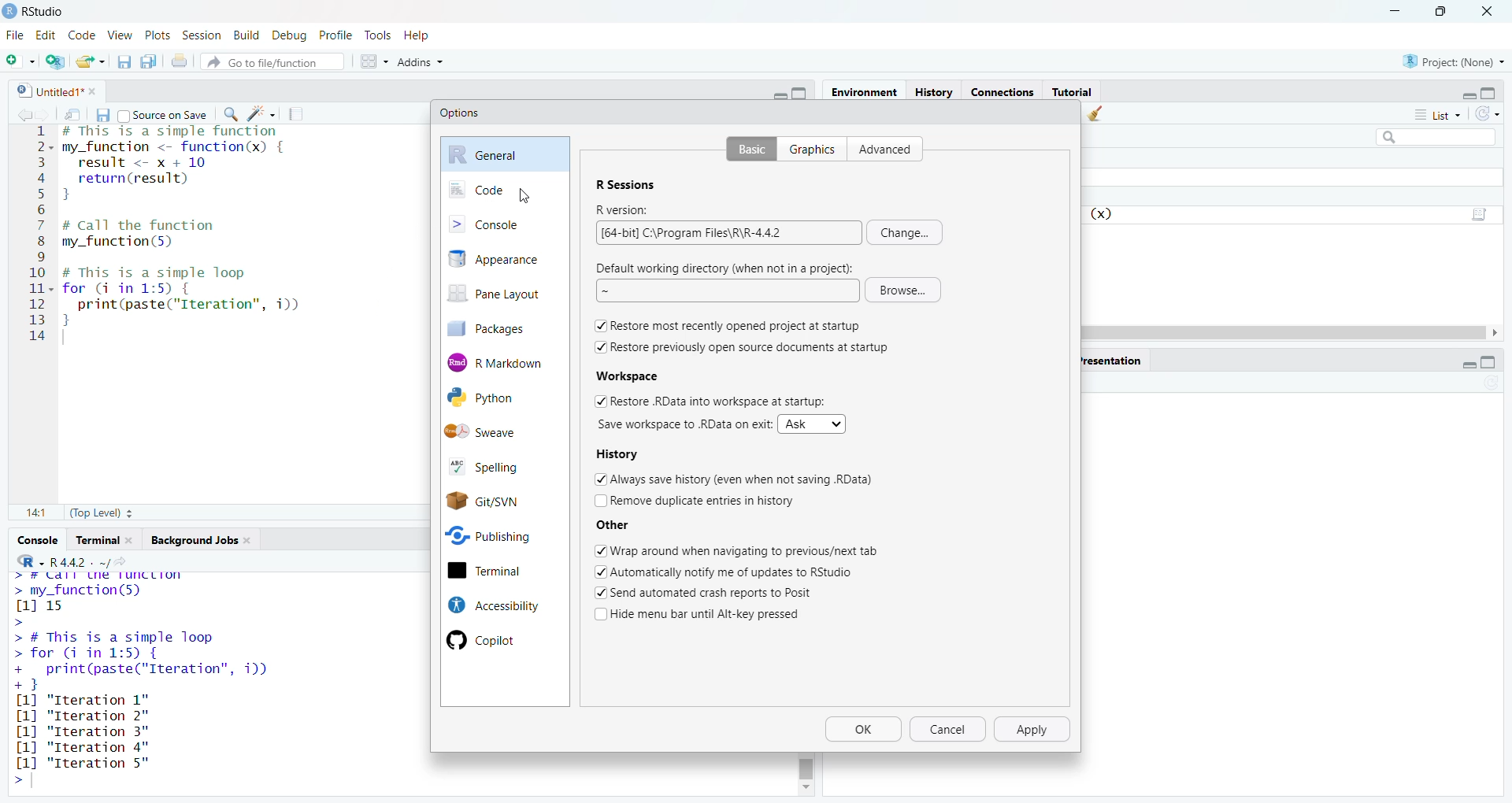 The image size is (1512, 803). Describe the element at coordinates (906, 231) in the screenshot. I see `change...` at that location.